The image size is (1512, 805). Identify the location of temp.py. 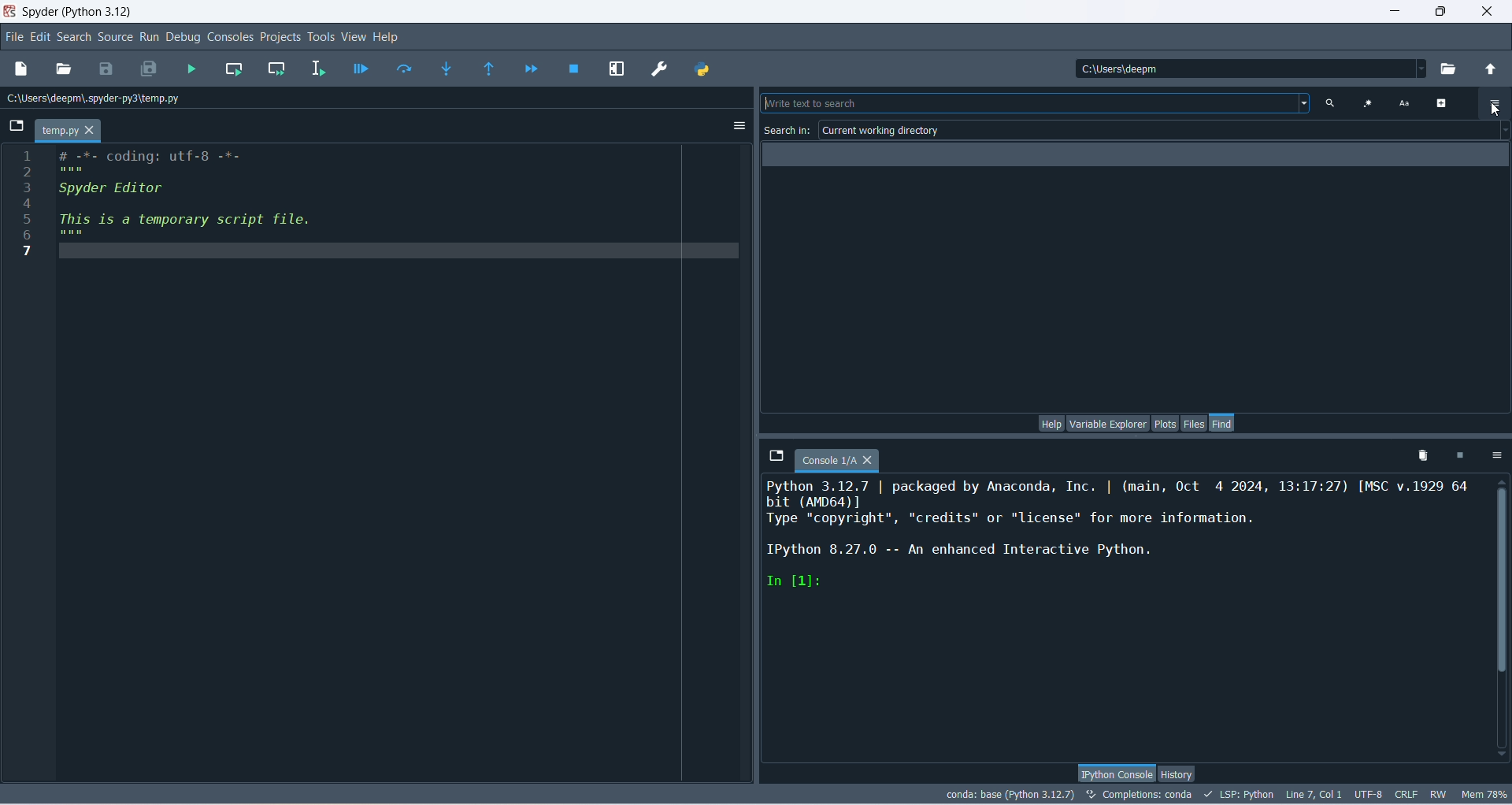
(69, 131).